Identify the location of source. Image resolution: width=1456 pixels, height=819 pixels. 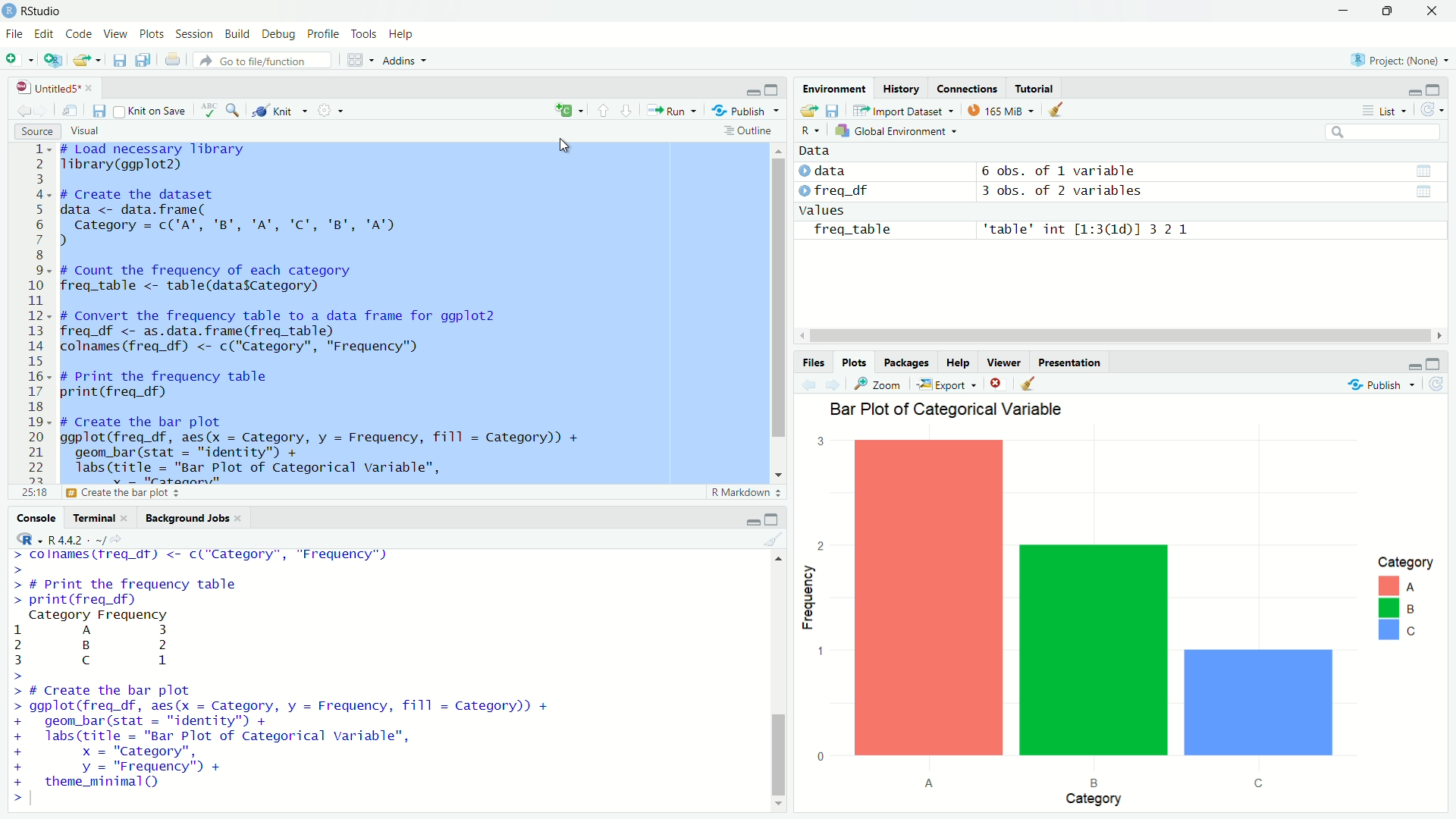
(38, 132).